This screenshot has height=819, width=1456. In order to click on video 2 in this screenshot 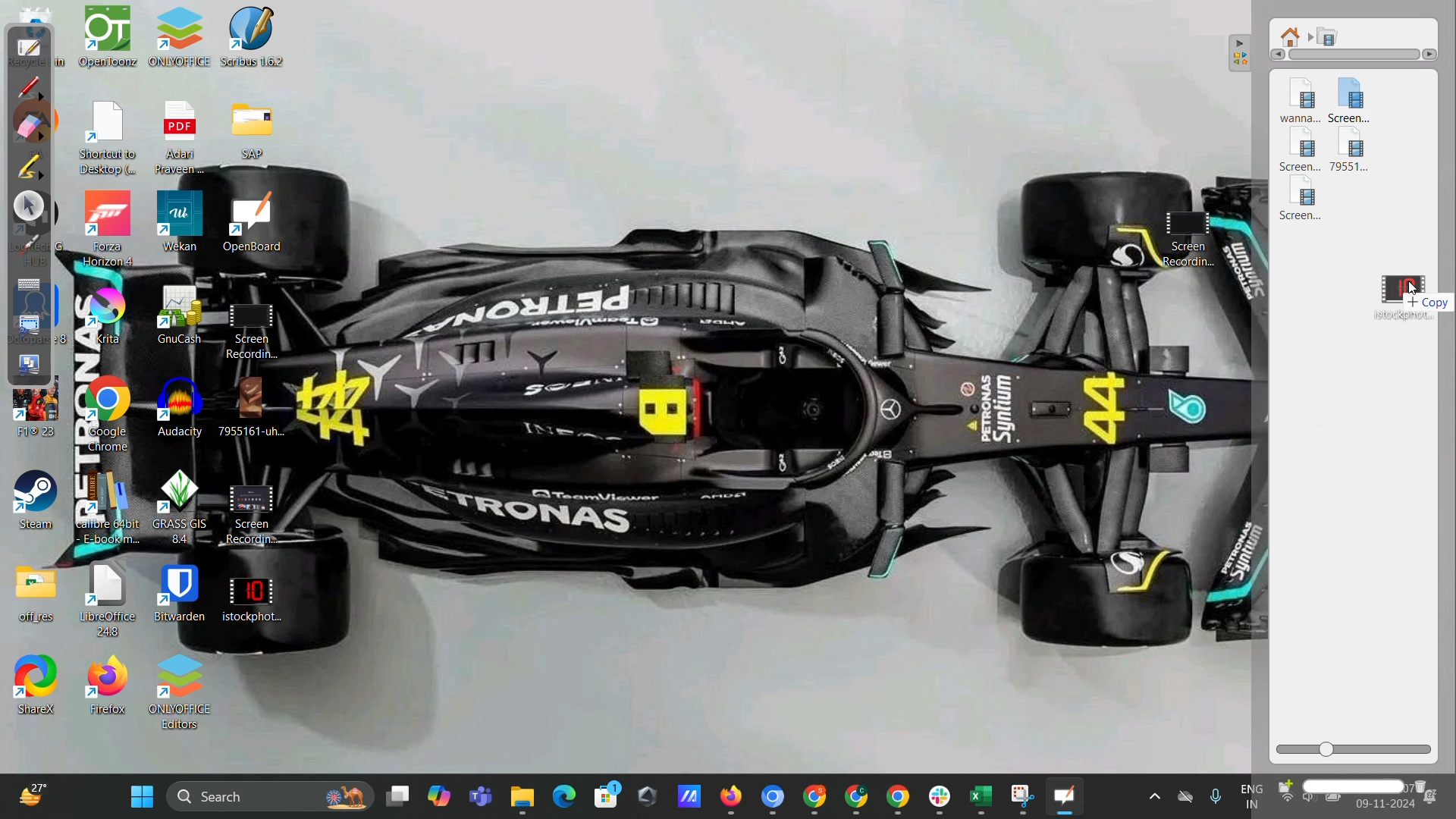, I will do `click(1361, 102)`.